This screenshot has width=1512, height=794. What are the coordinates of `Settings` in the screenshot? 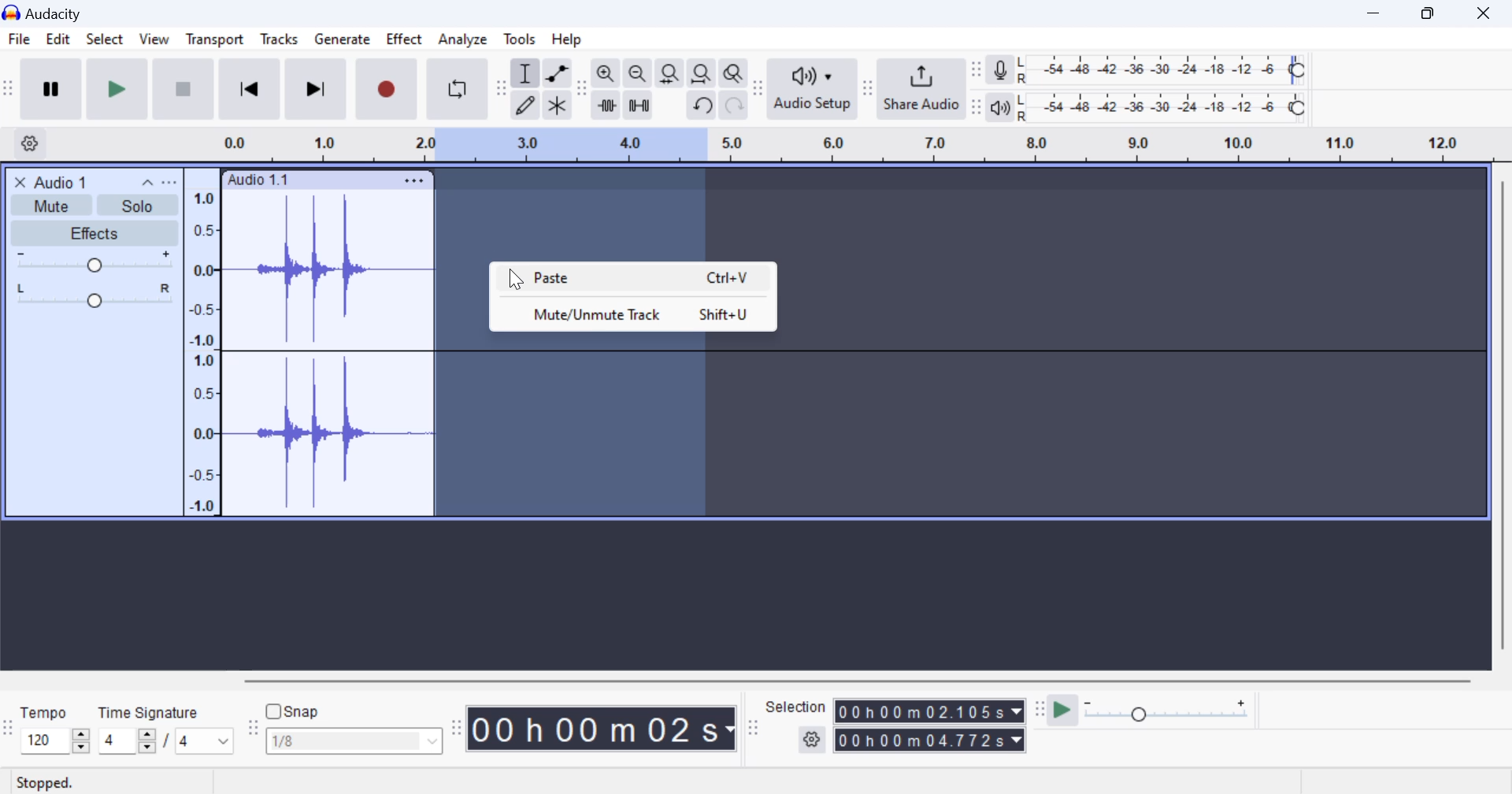 It's located at (32, 143).